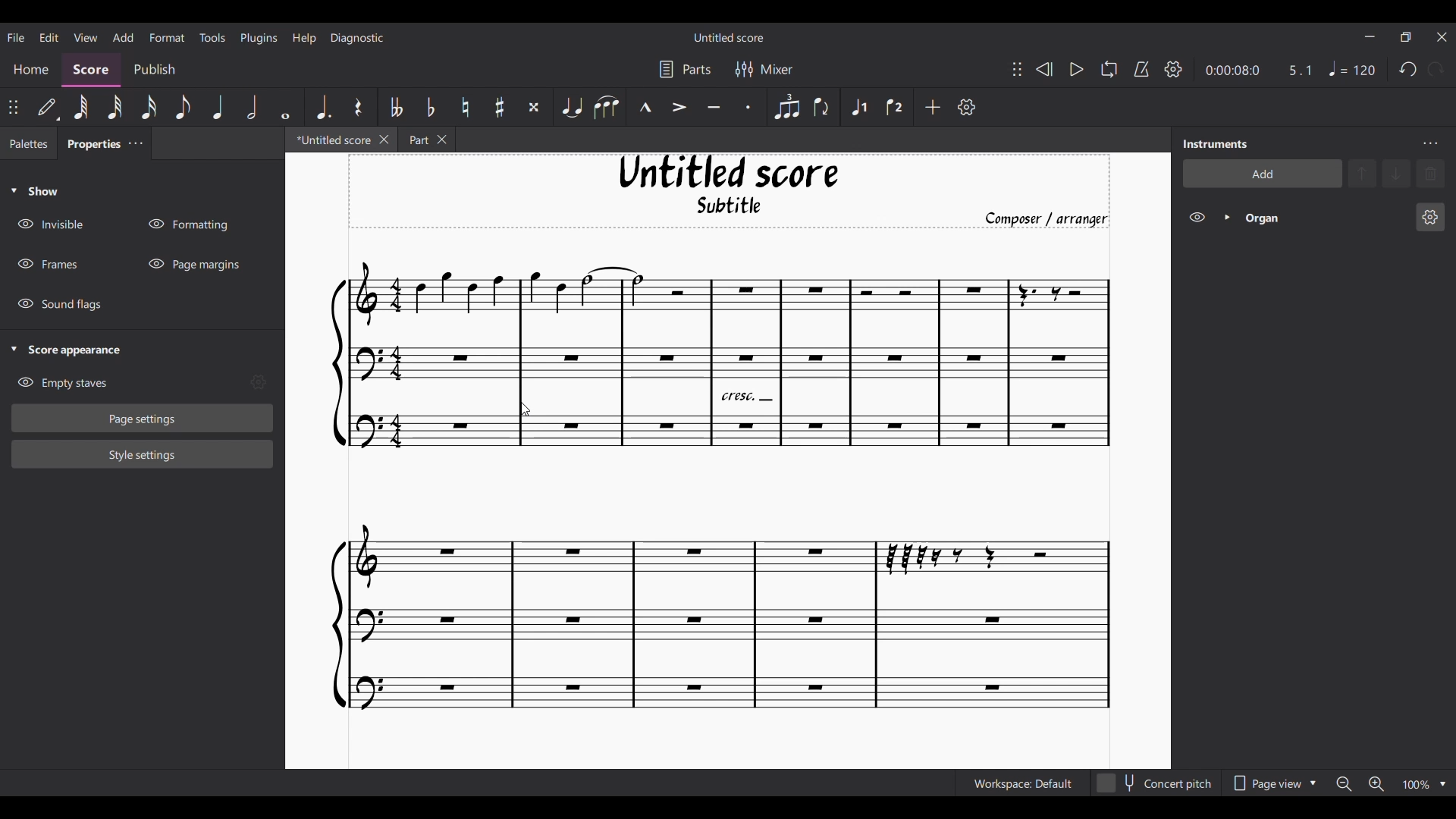 The height and width of the screenshot is (819, 1456). Describe the element at coordinates (749, 107) in the screenshot. I see `Staccato` at that location.